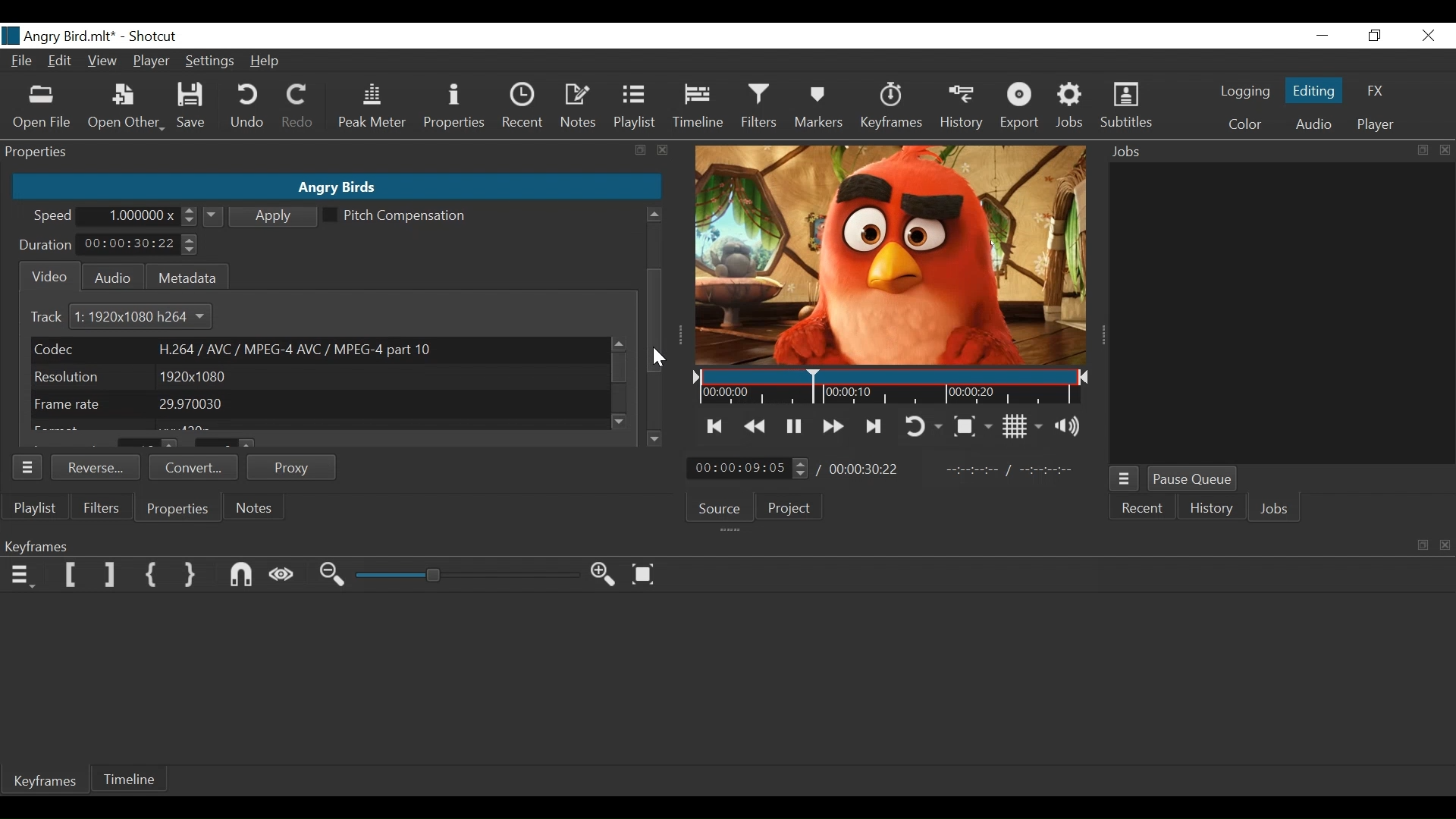  Describe the element at coordinates (715, 427) in the screenshot. I see `Skip to the previous point` at that location.